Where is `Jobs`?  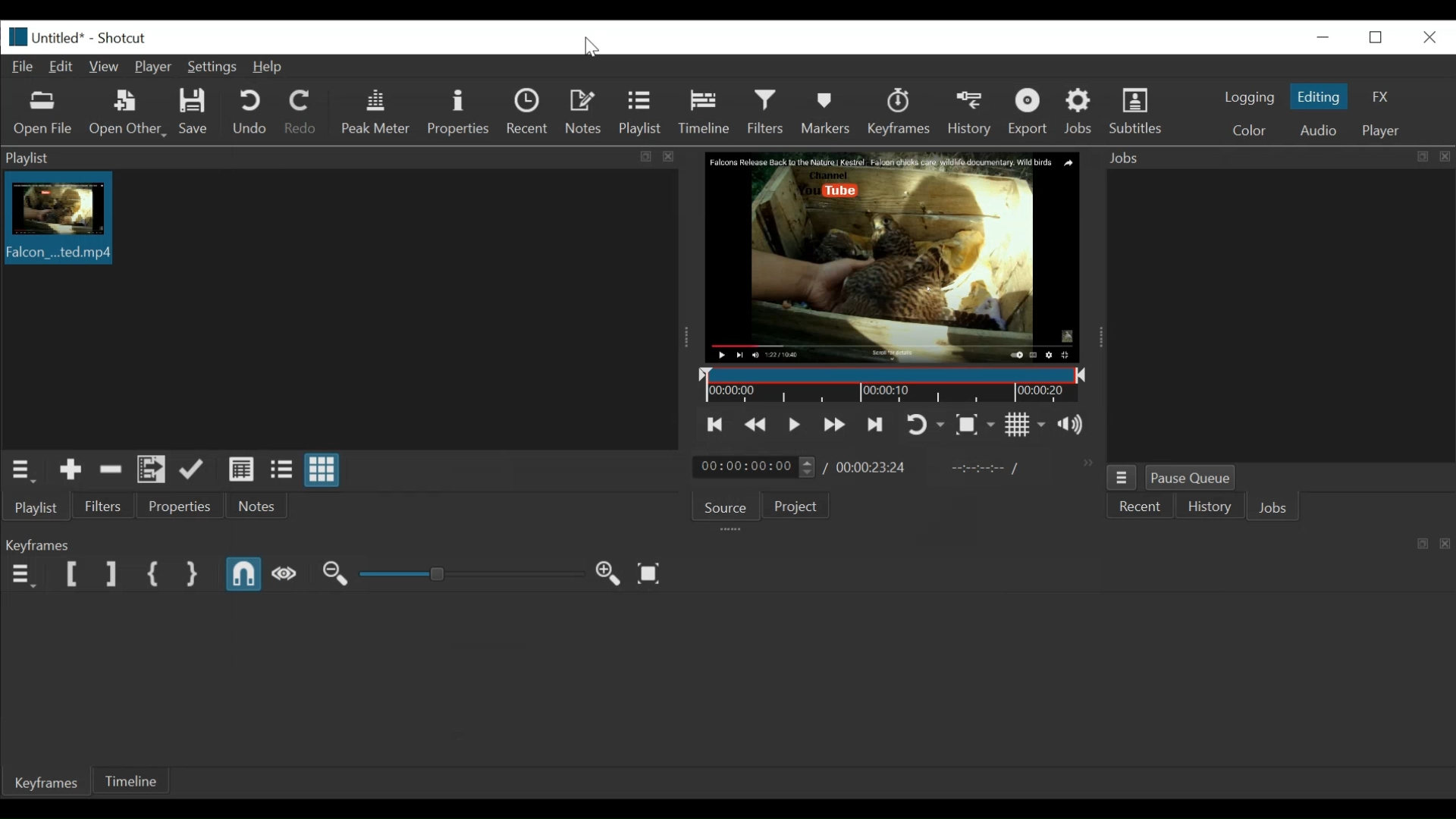
Jobs is located at coordinates (1079, 111).